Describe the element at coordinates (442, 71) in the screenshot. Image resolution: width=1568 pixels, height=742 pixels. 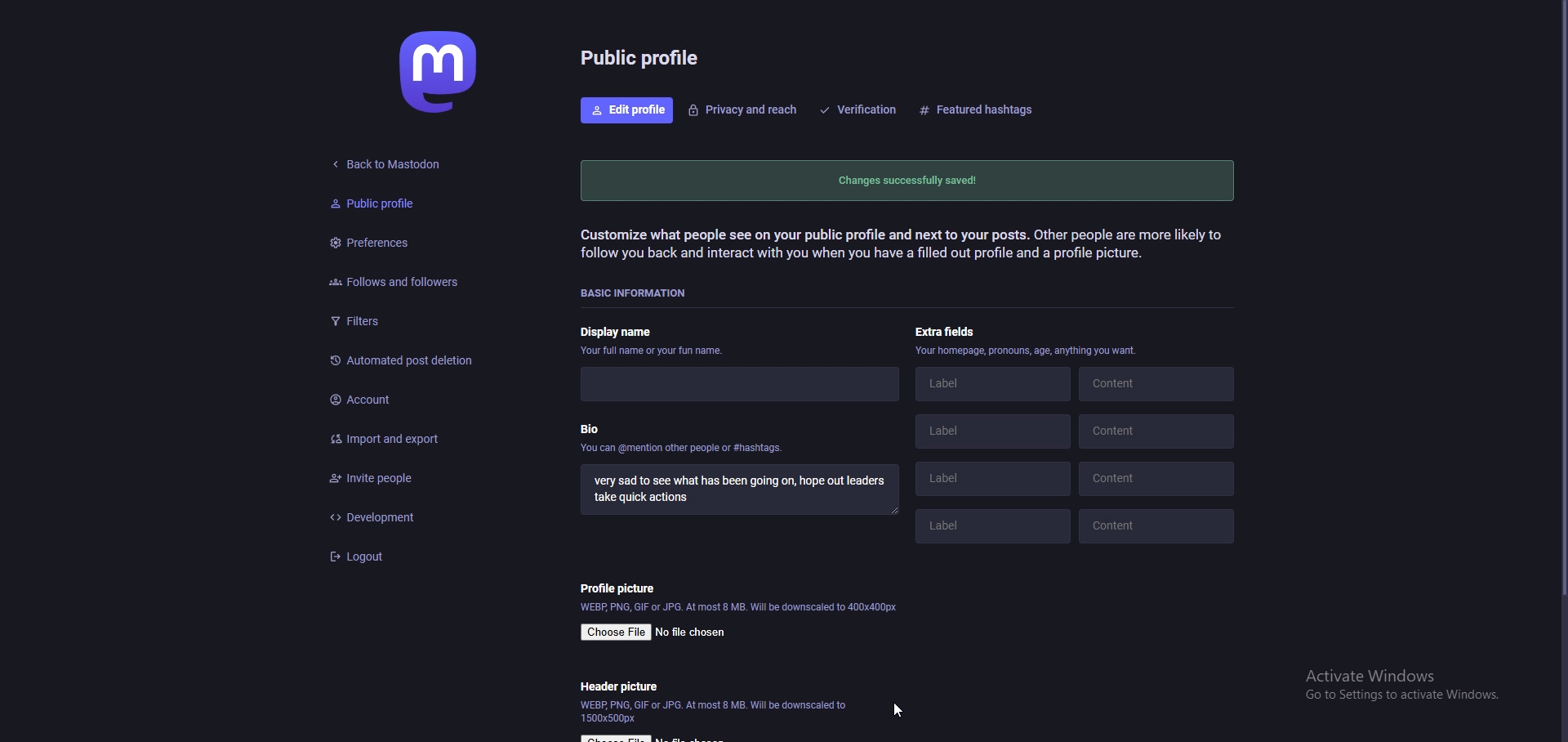
I see `mastodon` at that location.